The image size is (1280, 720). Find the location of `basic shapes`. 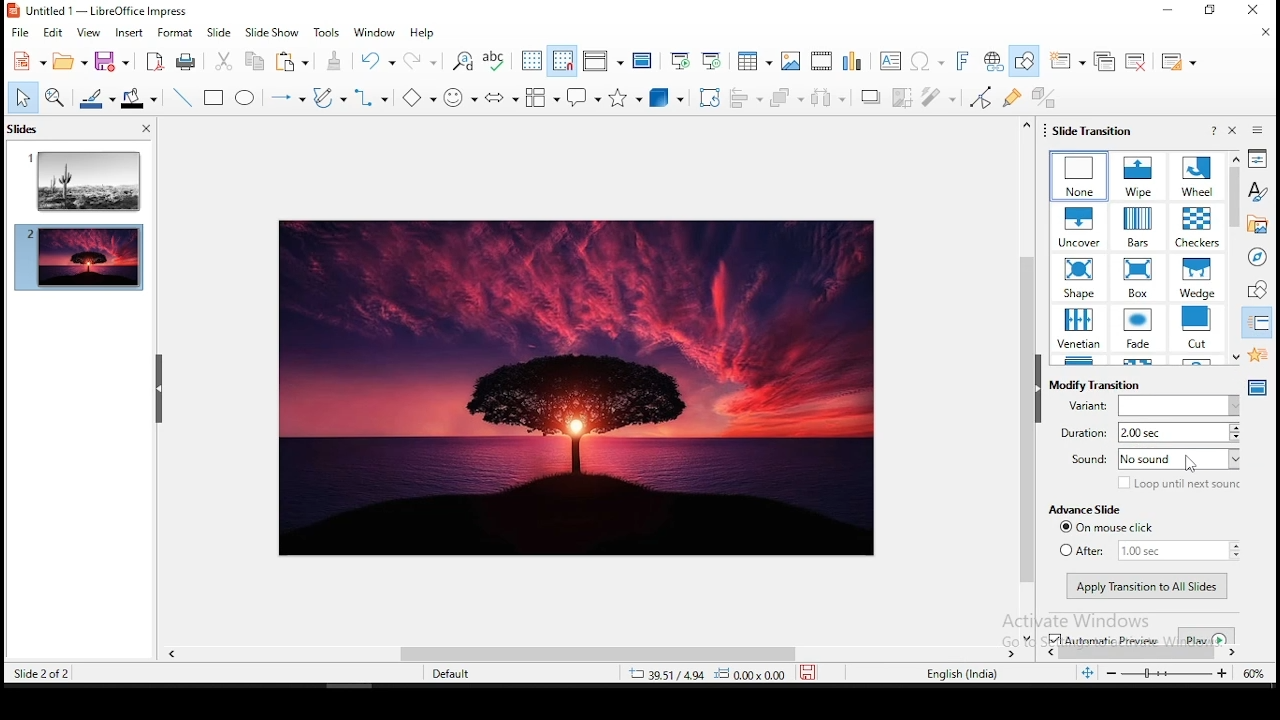

basic shapes is located at coordinates (416, 97).